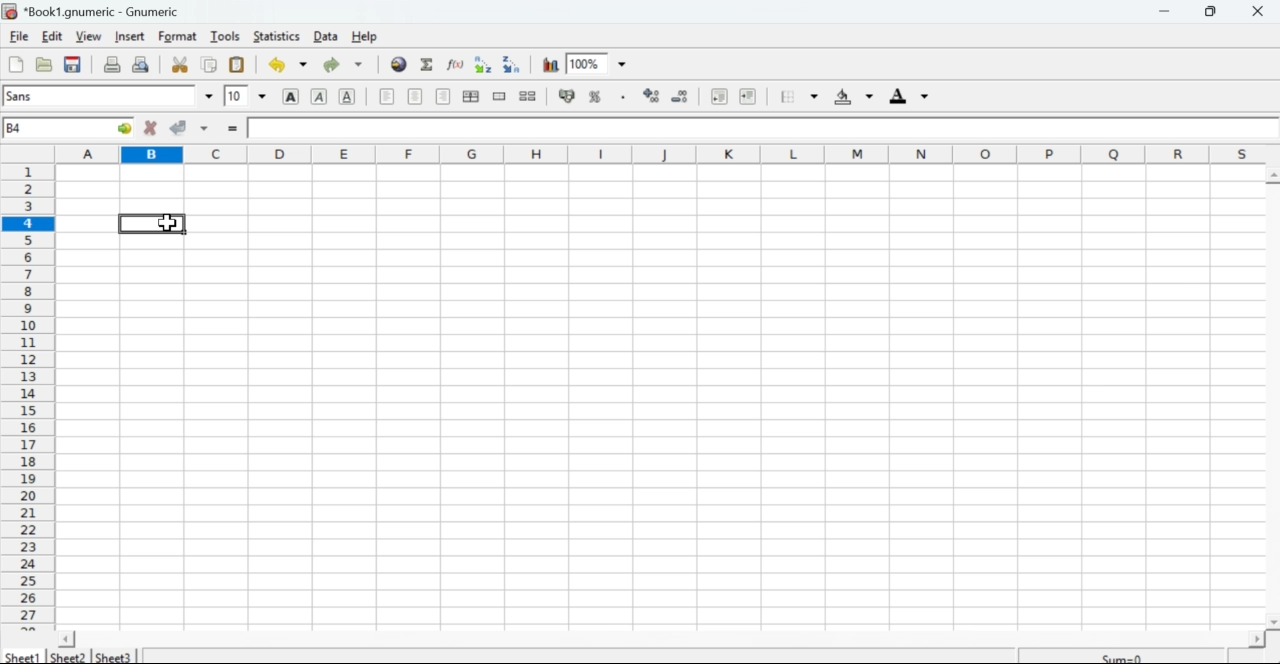 Image resolution: width=1280 pixels, height=664 pixels. I want to click on Formula, so click(428, 64).